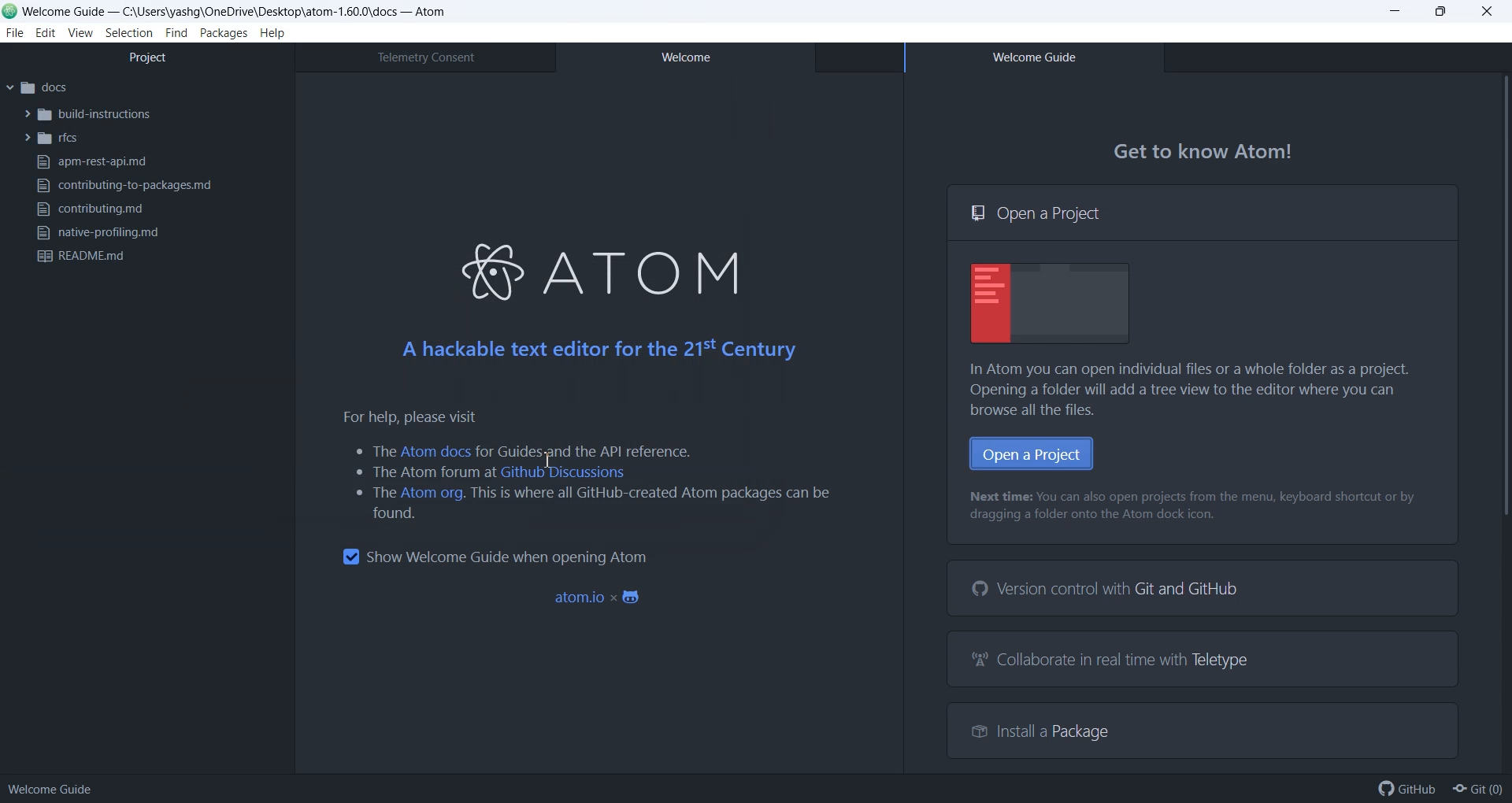  Describe the element at coordinates (121, 186) in the screenshot. I see `contributing-to-packages.md` at that location.